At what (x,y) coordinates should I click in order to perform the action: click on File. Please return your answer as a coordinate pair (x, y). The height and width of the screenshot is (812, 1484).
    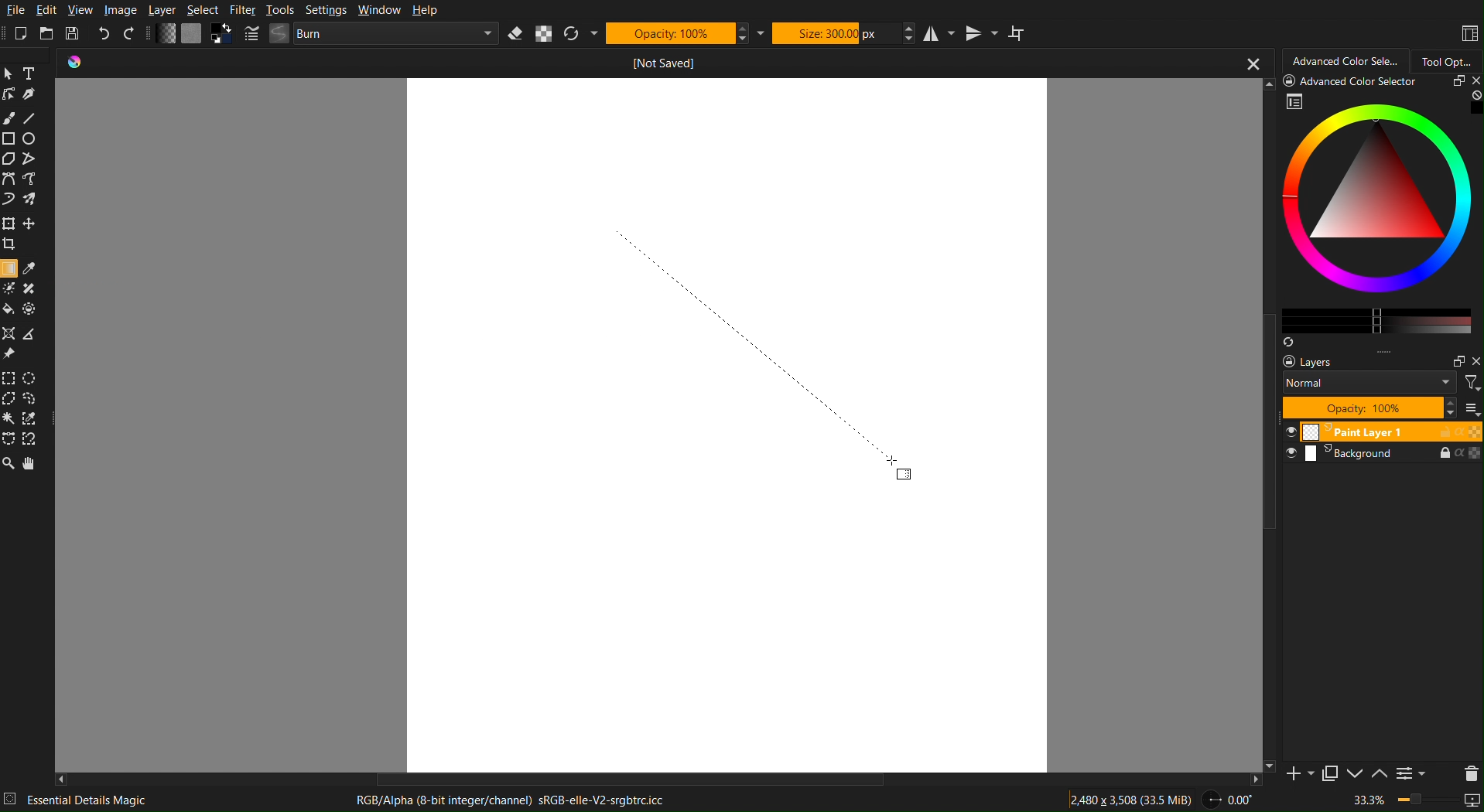
    Looking at the image, I should click on (15, 11).